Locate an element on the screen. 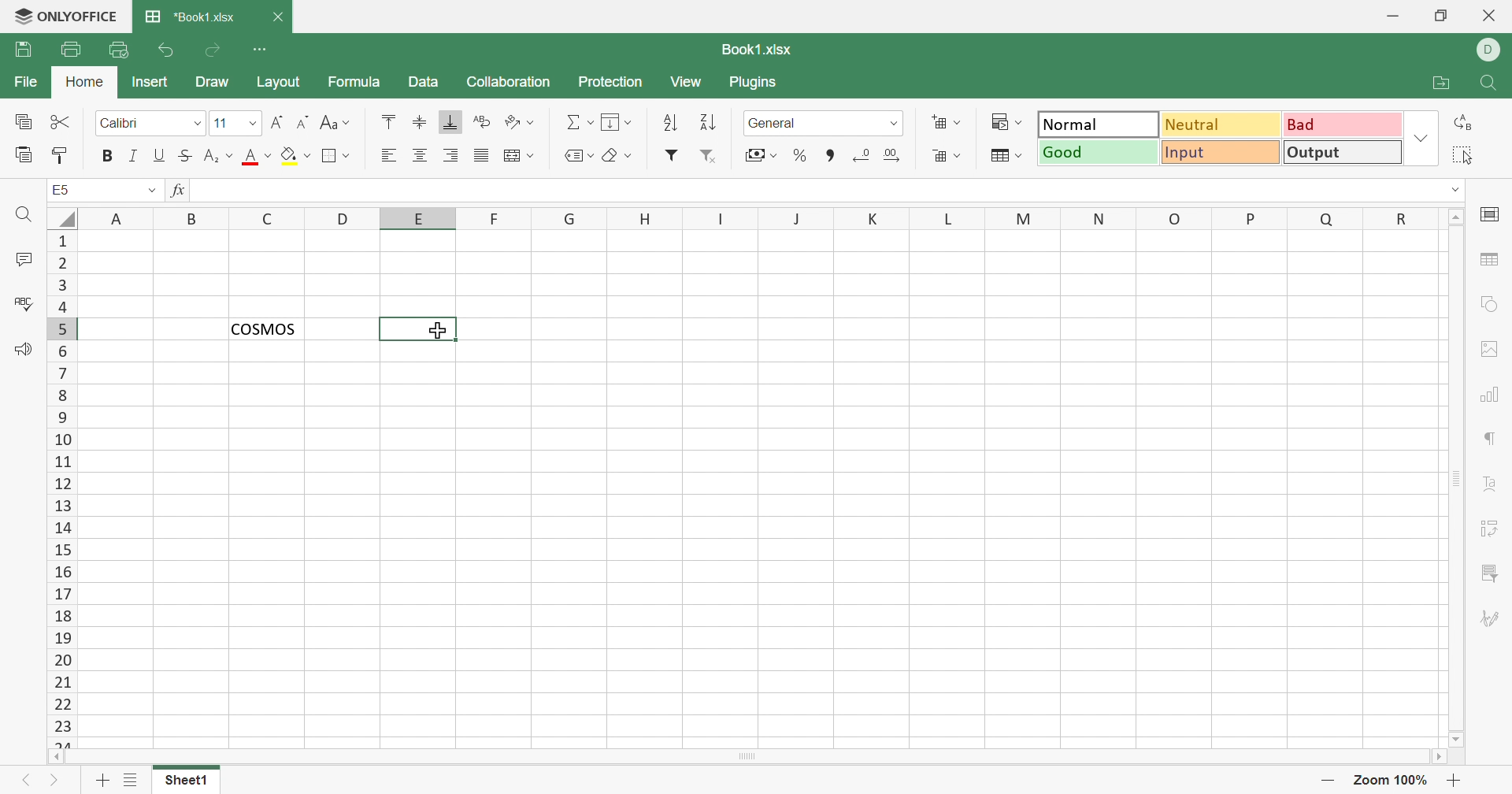 Image resolution: width=1512 pixels, height=794 pixels. Home is located at coordinates (85, 82).